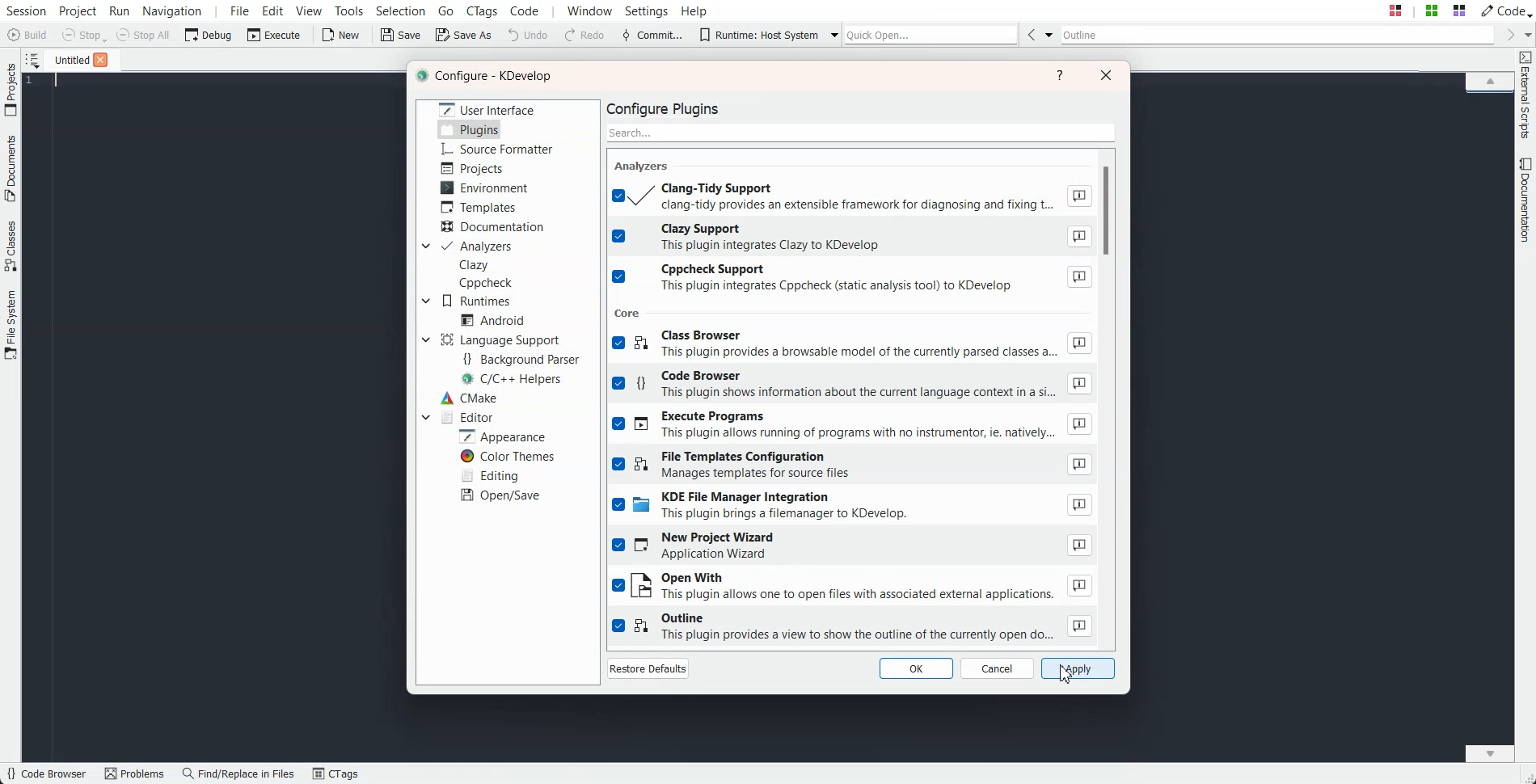 The image size is (1536, 784). I want to click on Source Formatter, so click(496, 150).